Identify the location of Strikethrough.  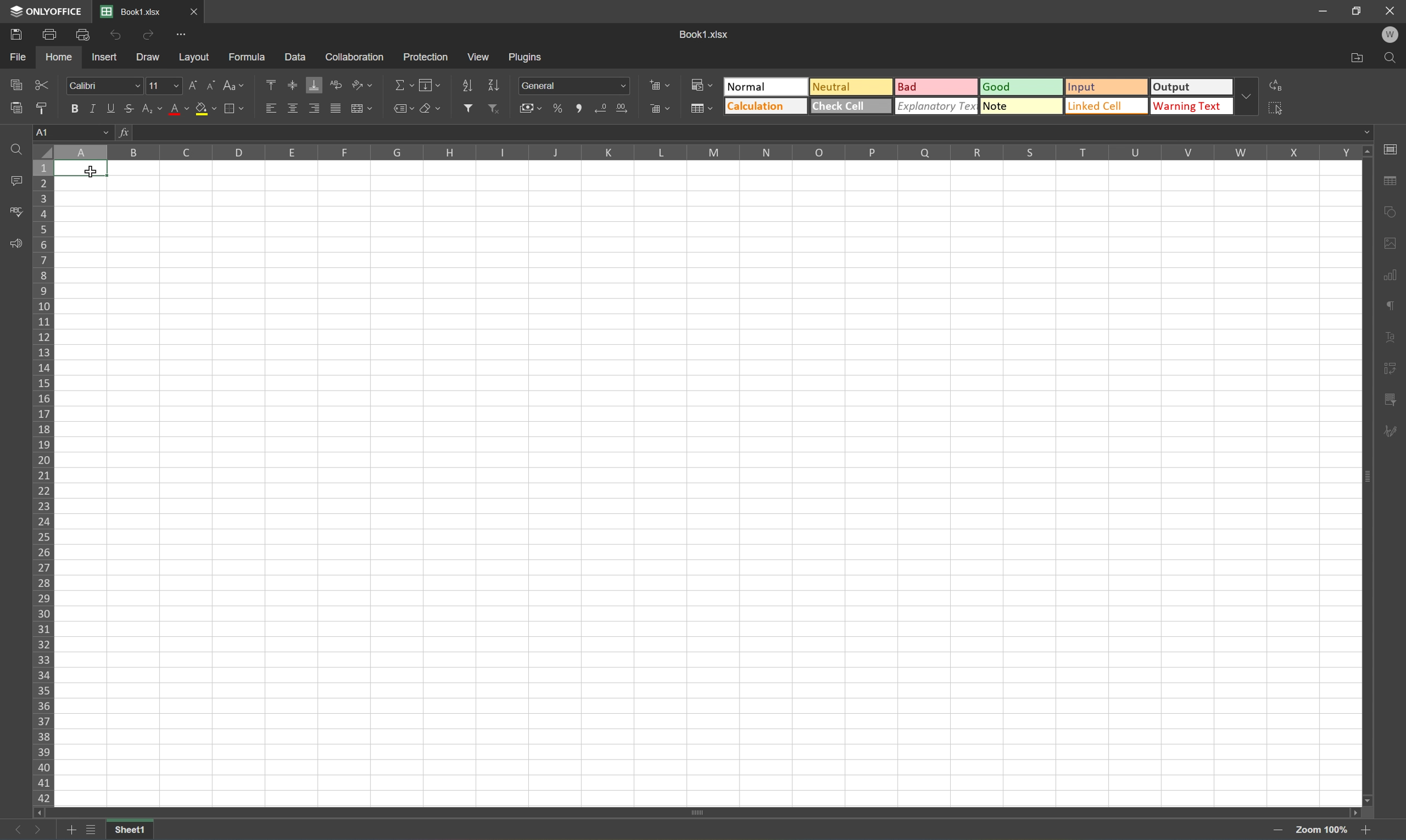
(132, 109).